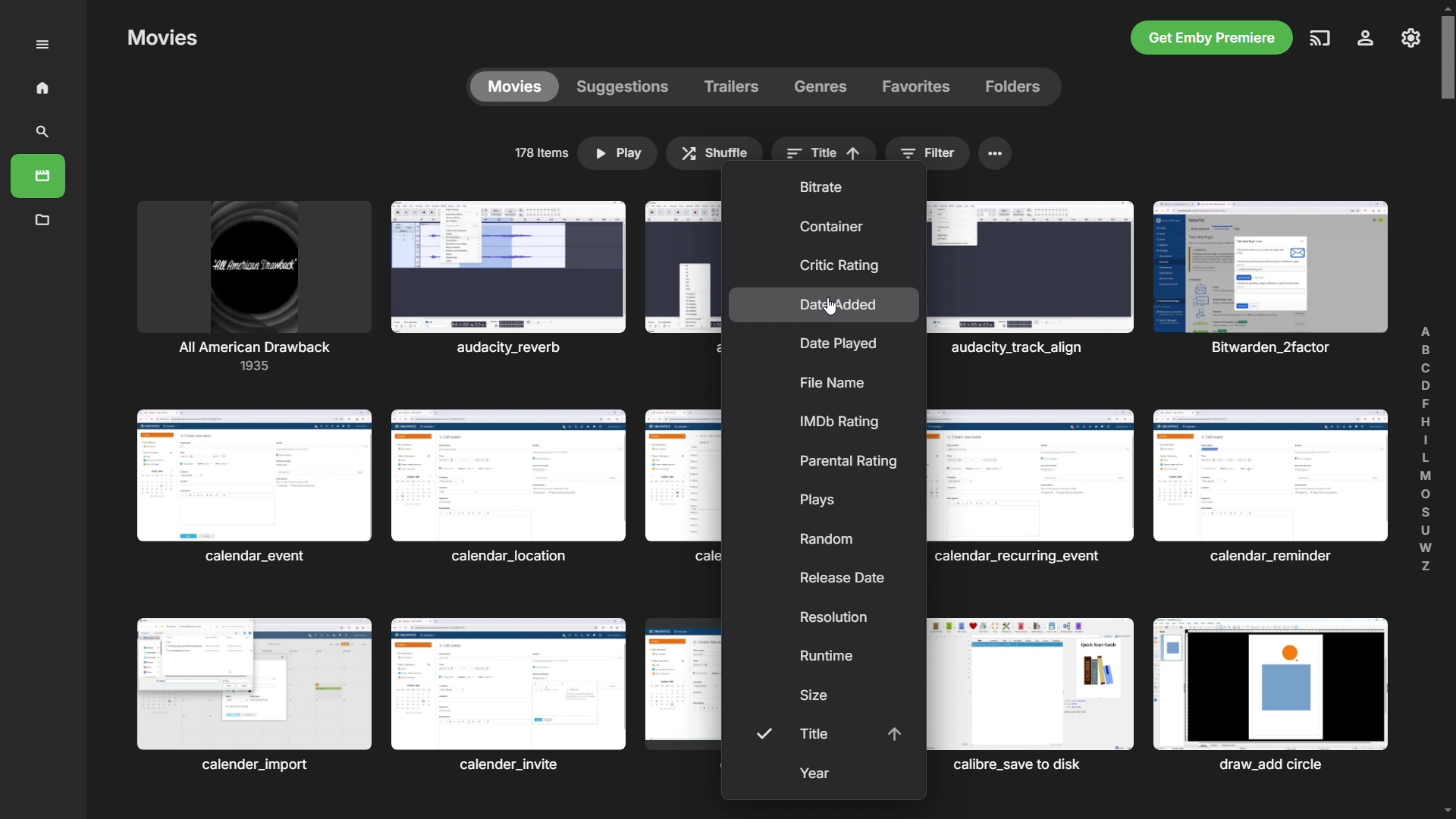  What do you see at coordinates (1037, 695) in the screenshot?
I see `` at bounding box center [1037, 695].